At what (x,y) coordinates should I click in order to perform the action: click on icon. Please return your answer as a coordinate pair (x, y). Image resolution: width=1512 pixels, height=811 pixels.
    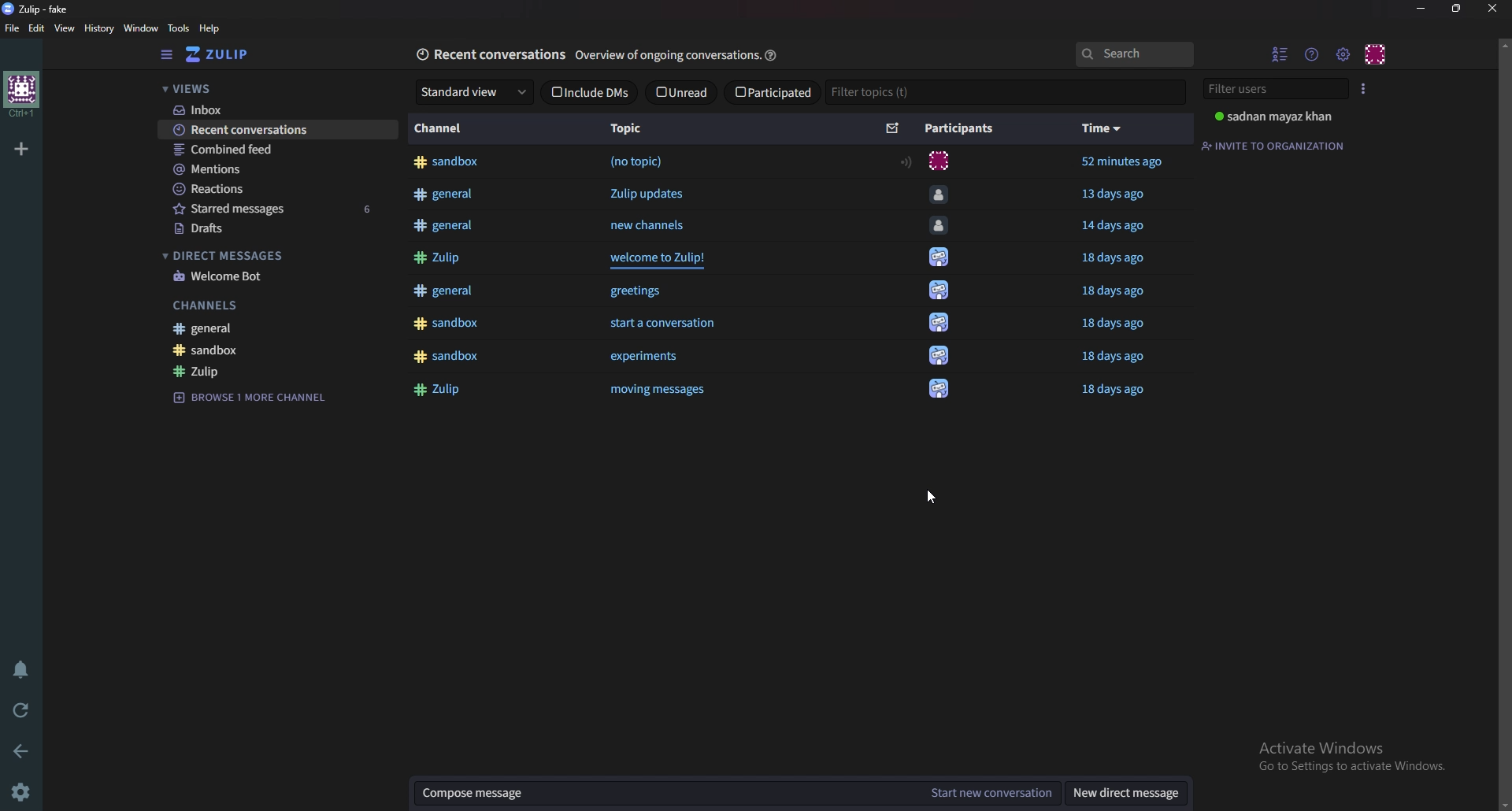
    Looking at the image, I should click on (939, 291).